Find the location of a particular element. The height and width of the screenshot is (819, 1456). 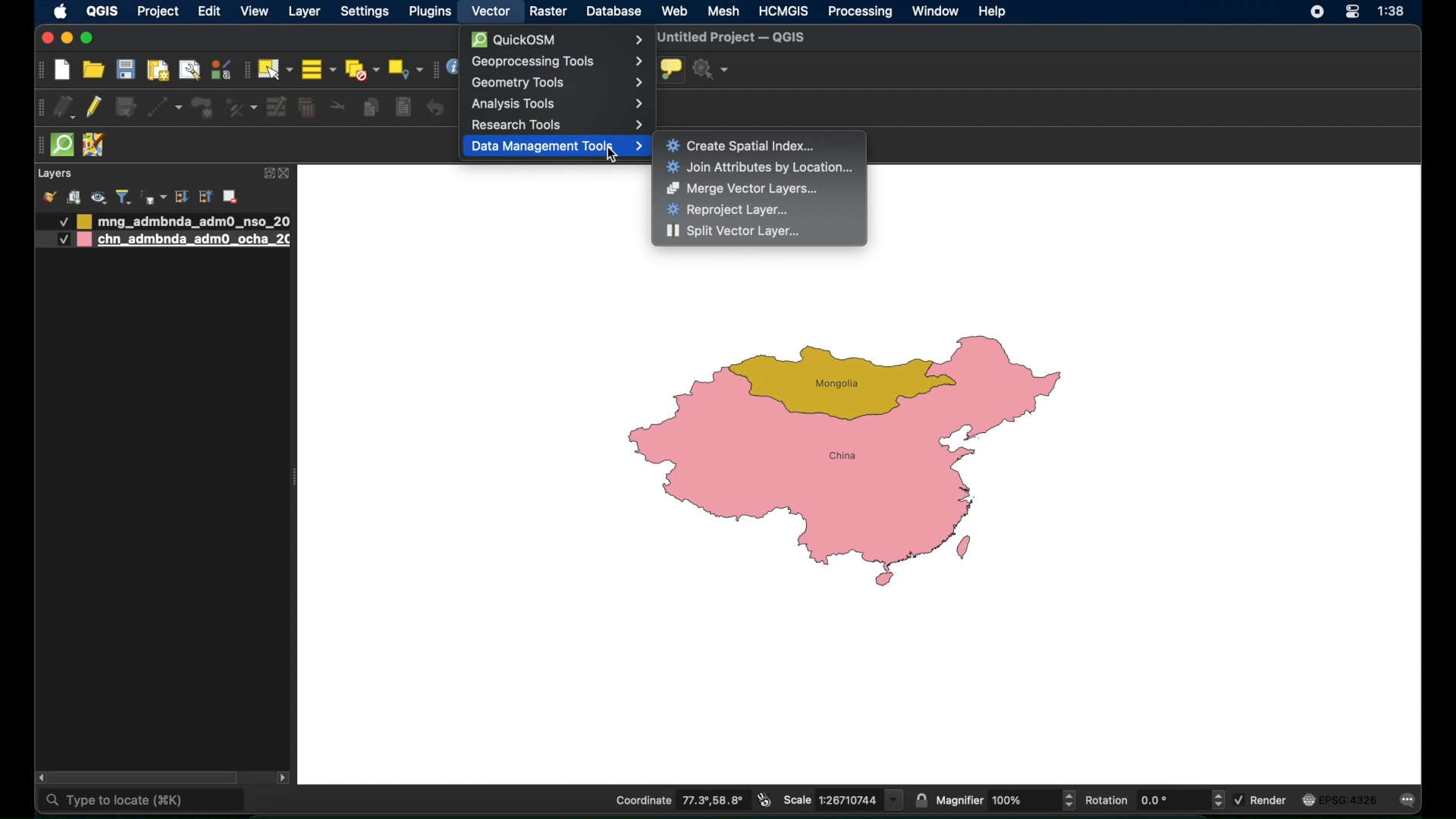

modify attributes is located at coordinates (275, 108).